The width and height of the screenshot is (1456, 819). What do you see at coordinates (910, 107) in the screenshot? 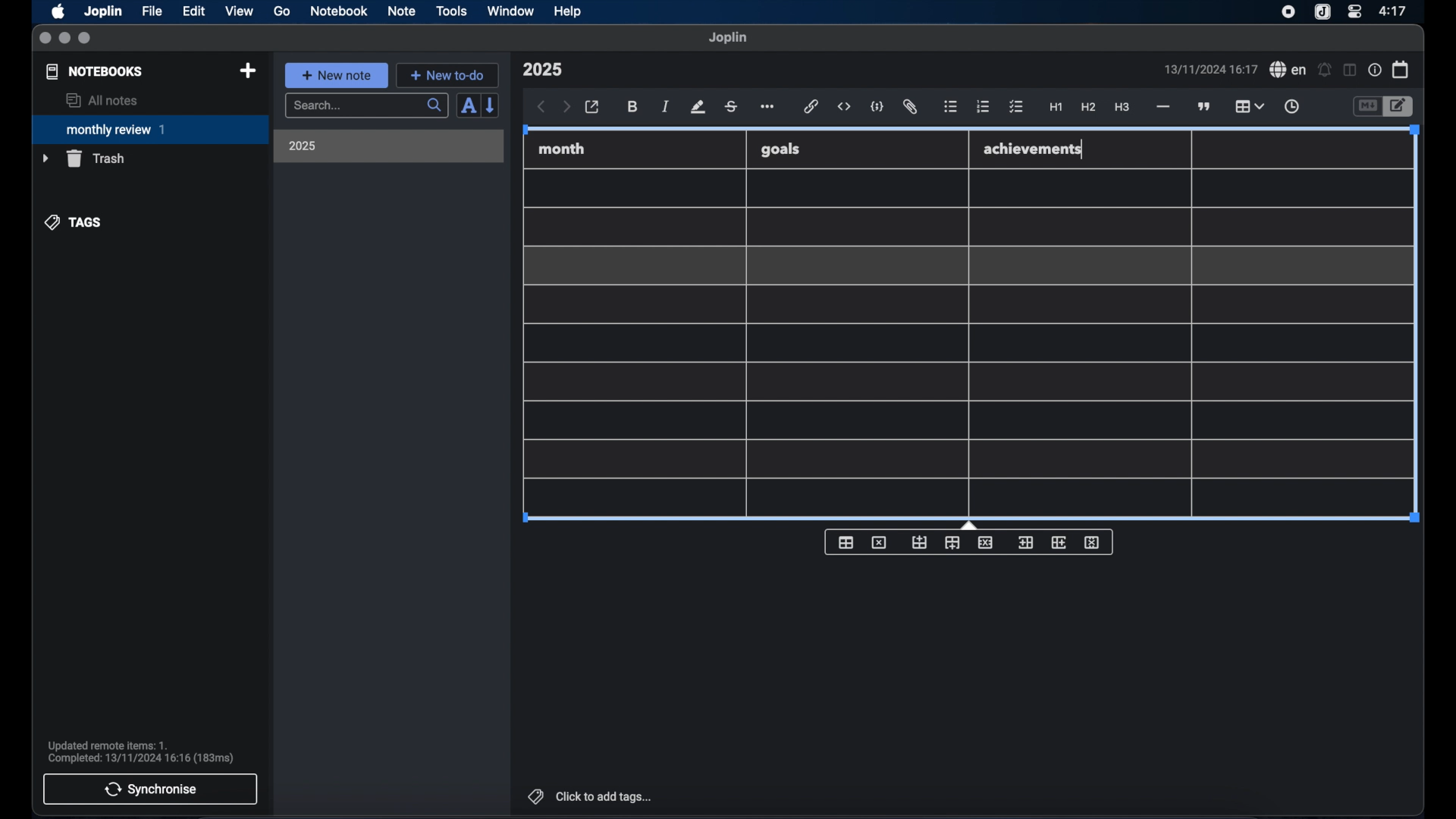
I see `attach file` at bounding box center [910, 107].